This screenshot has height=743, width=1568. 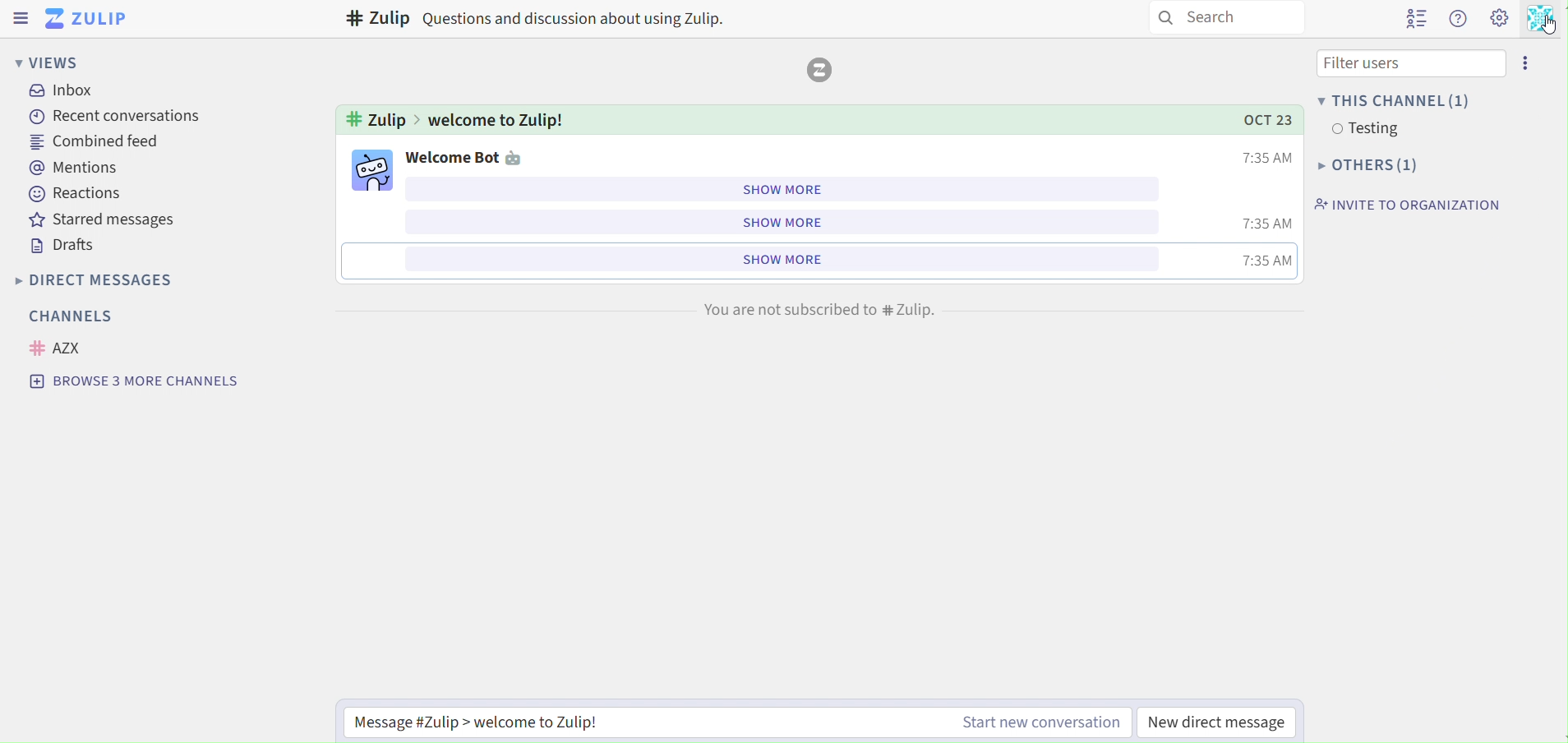 What do you see at coordinates (1263, 158) in the screenshot?
I see `7:35AM` at bounding box center [1263, 158].